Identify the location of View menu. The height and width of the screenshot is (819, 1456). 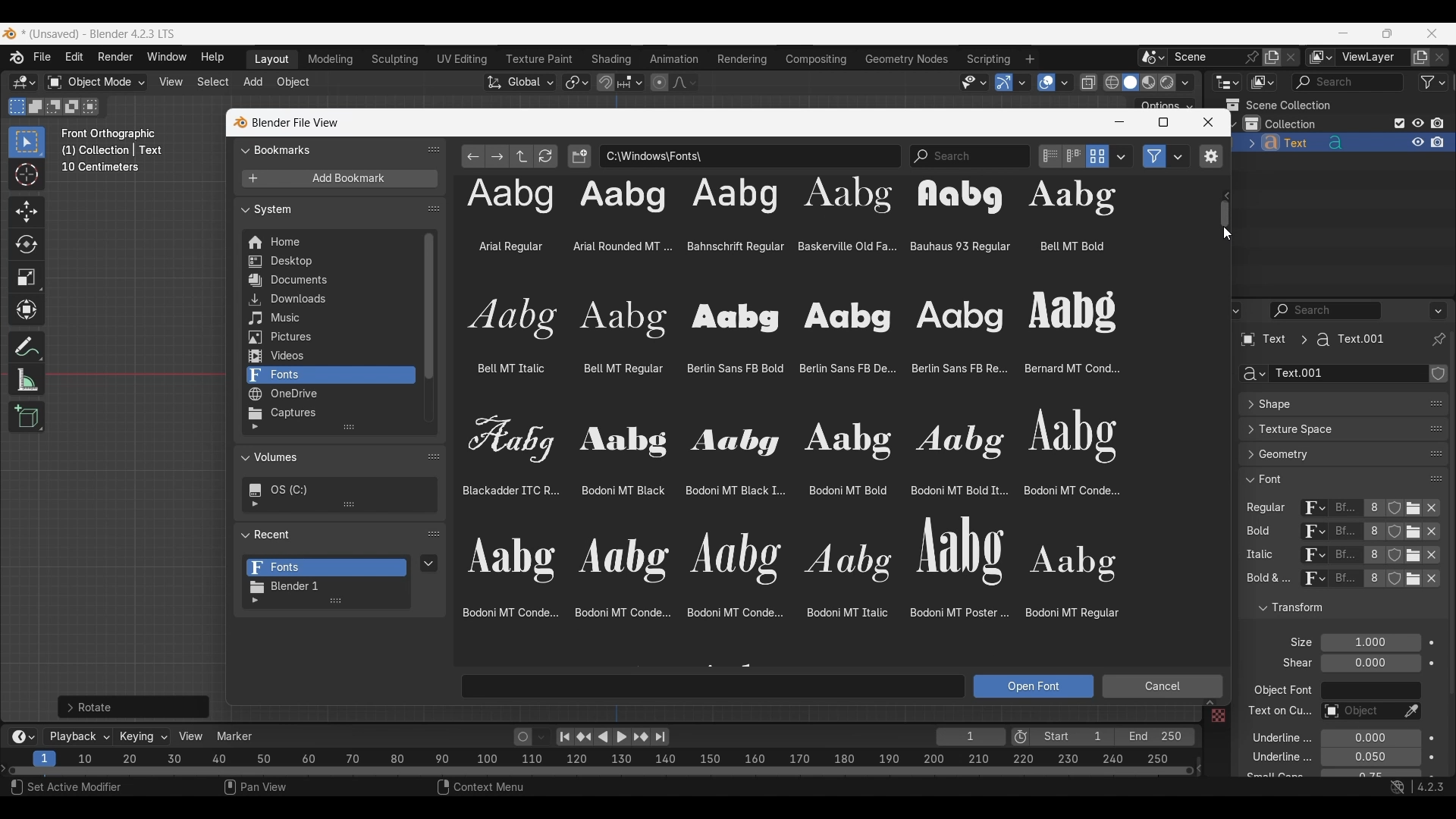
(170, 82).